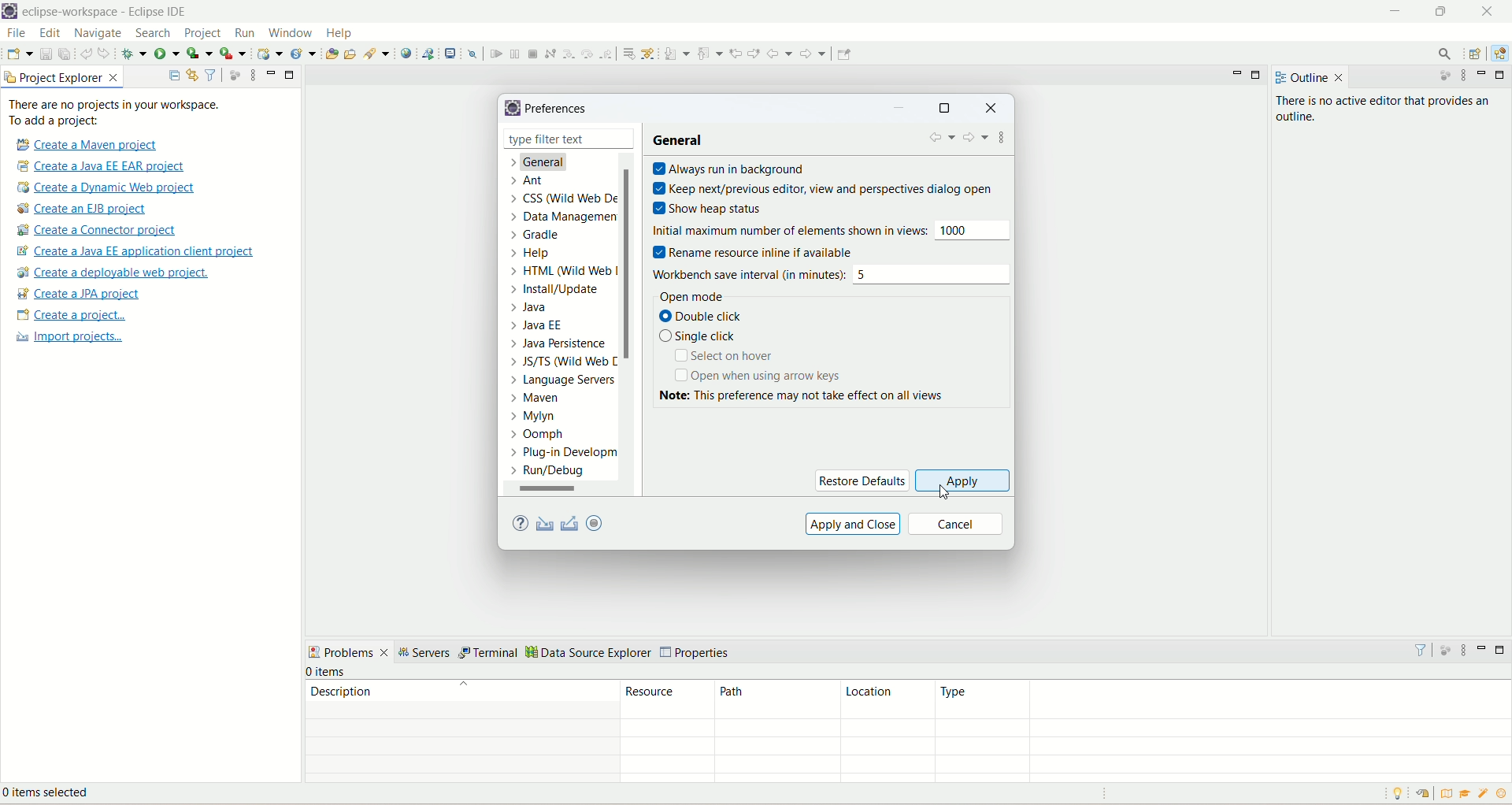 Image resolution: width=1512 pixels, height=805 pixels. What do you see at coordinates (199, 52) in the screenshot?
I see `coverage` at bounding box center [199, 52].